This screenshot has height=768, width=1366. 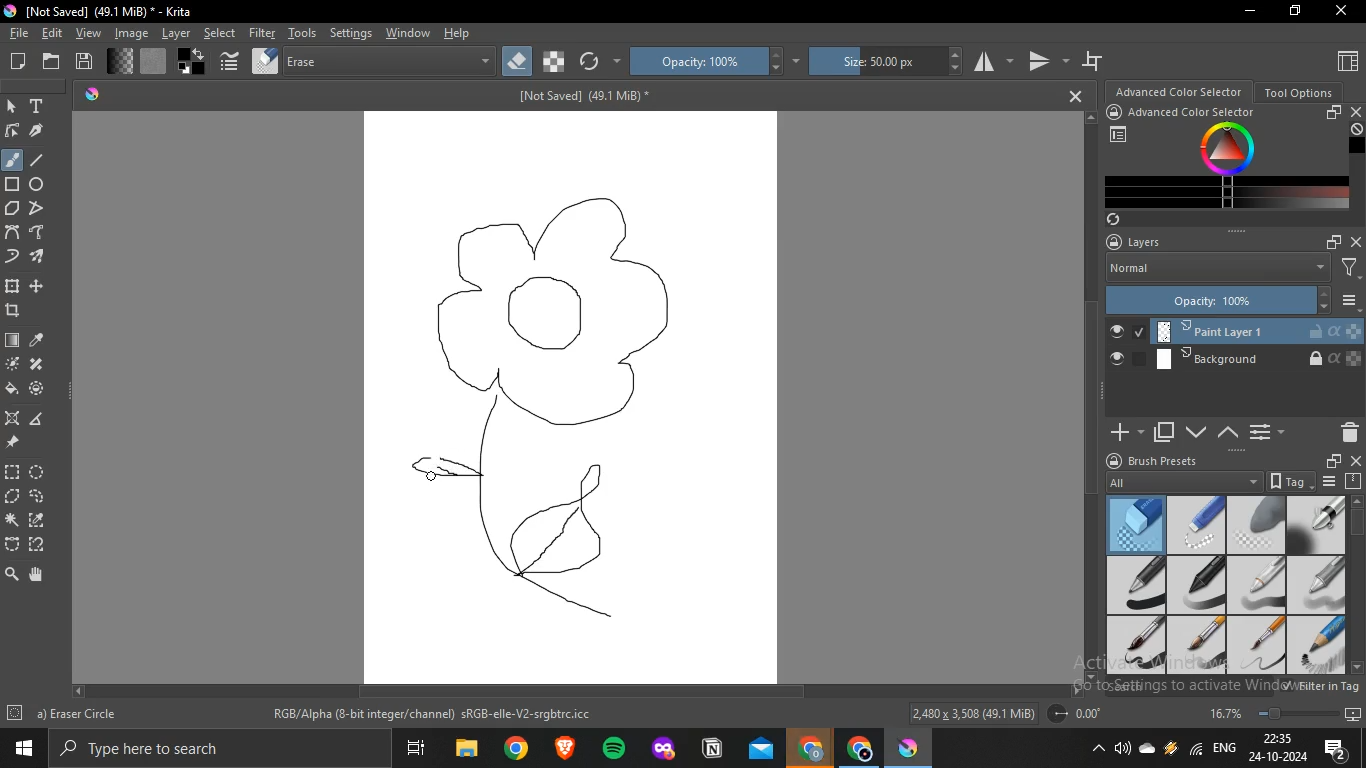 What do you see at coordinates (1165, 460) in the screenshot?
I see `brush presets` at bounding box center [1165, 460].